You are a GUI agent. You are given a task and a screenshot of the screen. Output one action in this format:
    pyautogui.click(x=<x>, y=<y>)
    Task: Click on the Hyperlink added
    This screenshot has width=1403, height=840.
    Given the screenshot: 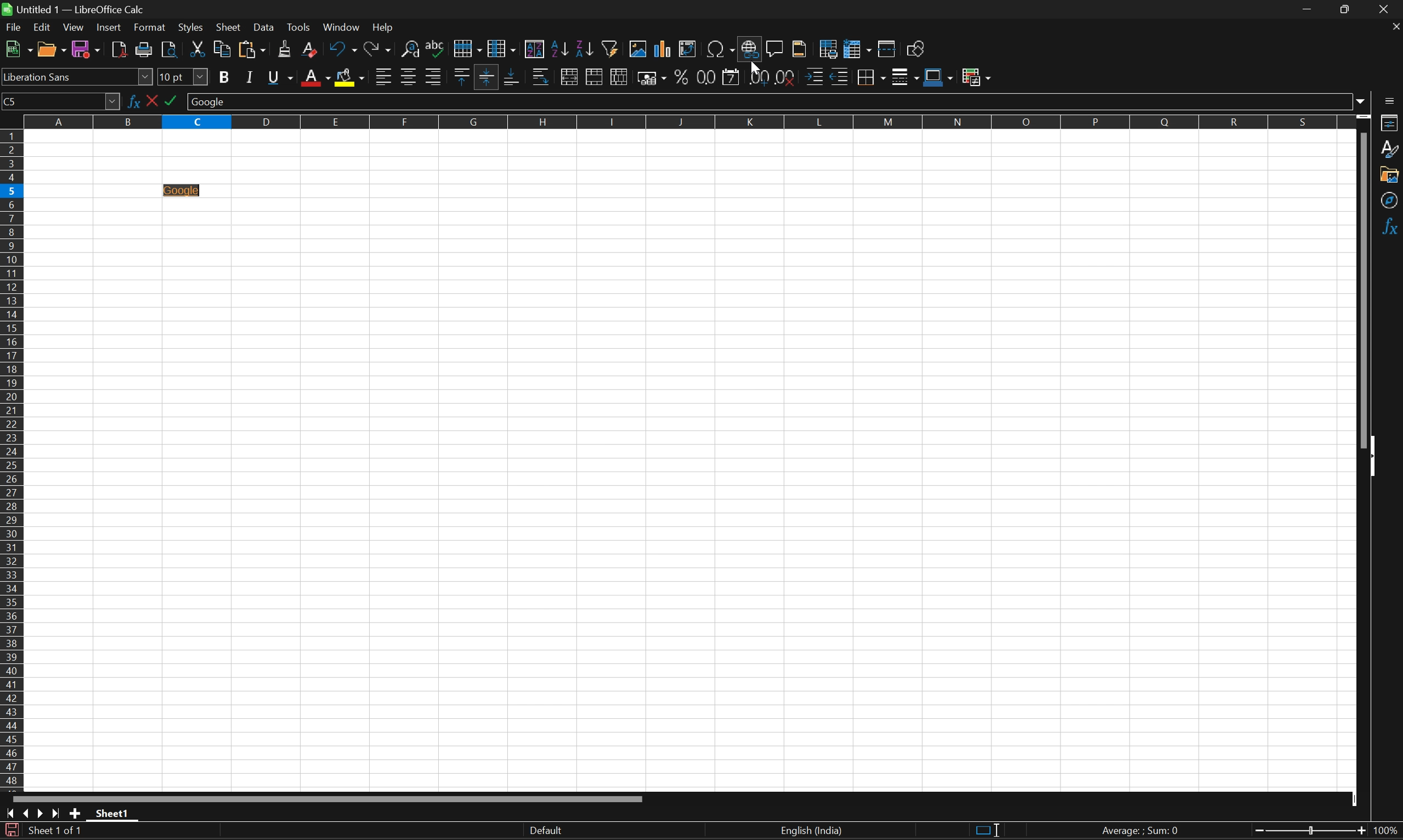 What is the action you would take?
    pyautogui.click(x=182, y=190)
    